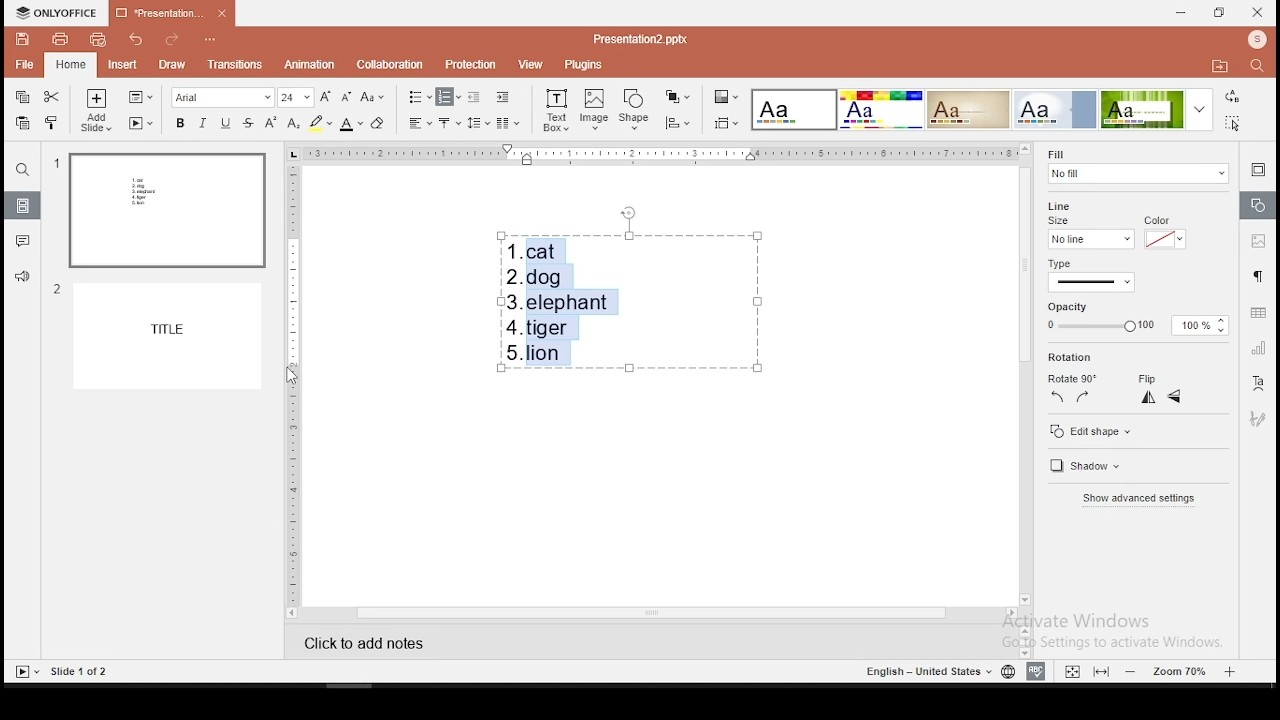  I want to click on english - united states, so click(921, 671).